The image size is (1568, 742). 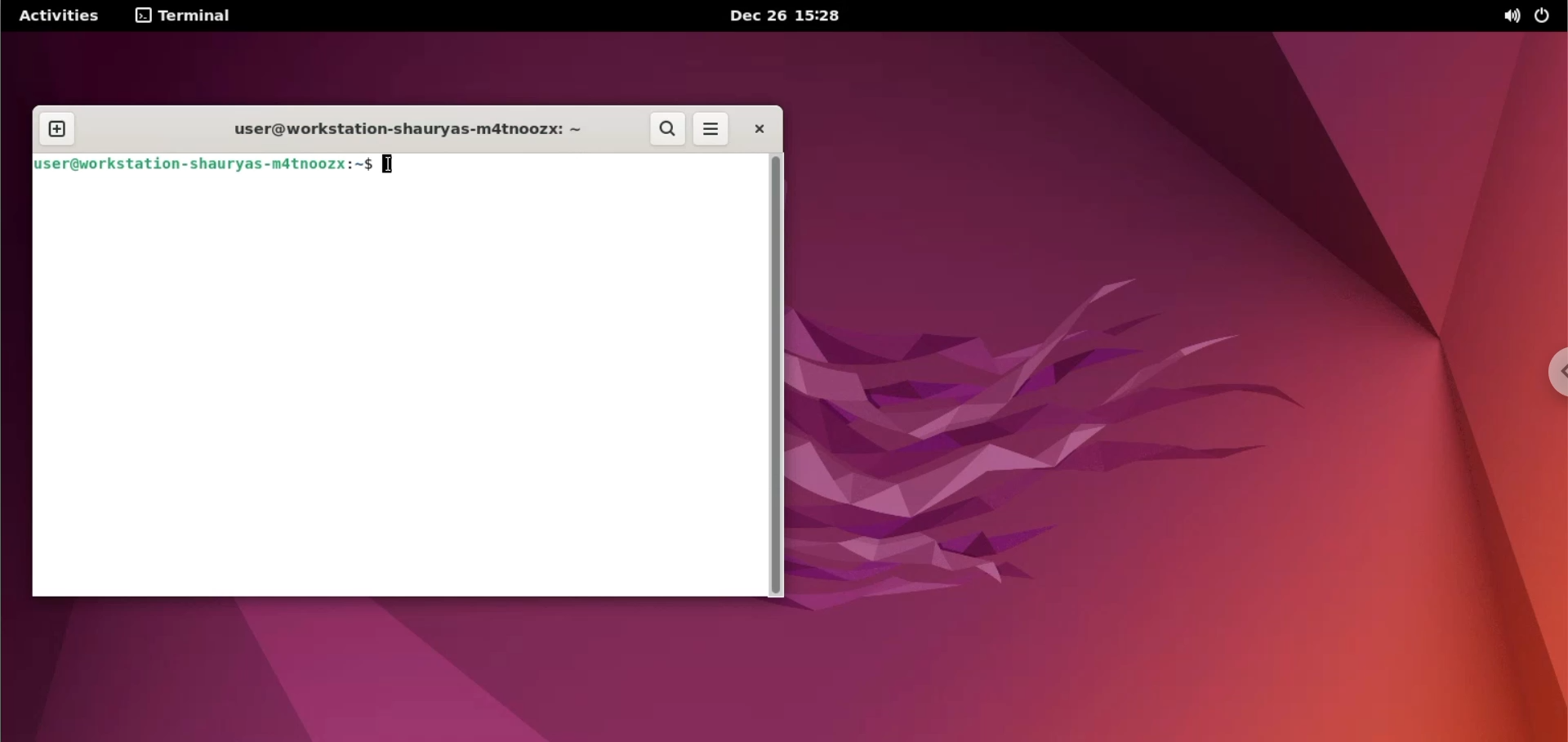 What do you see at coordinates (1541, 16) in the screenshot?
I see `power options` at bounding box center [1541, 16].